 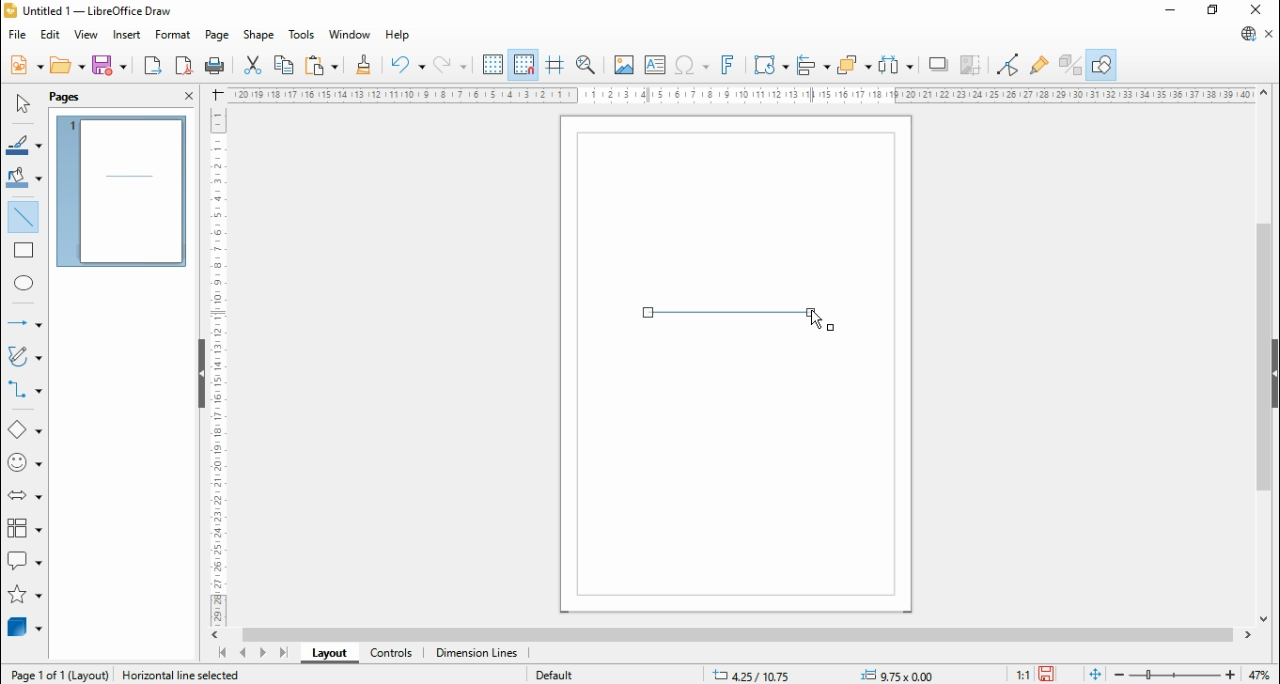 I want to click on insert, so click(x=126, y=35).